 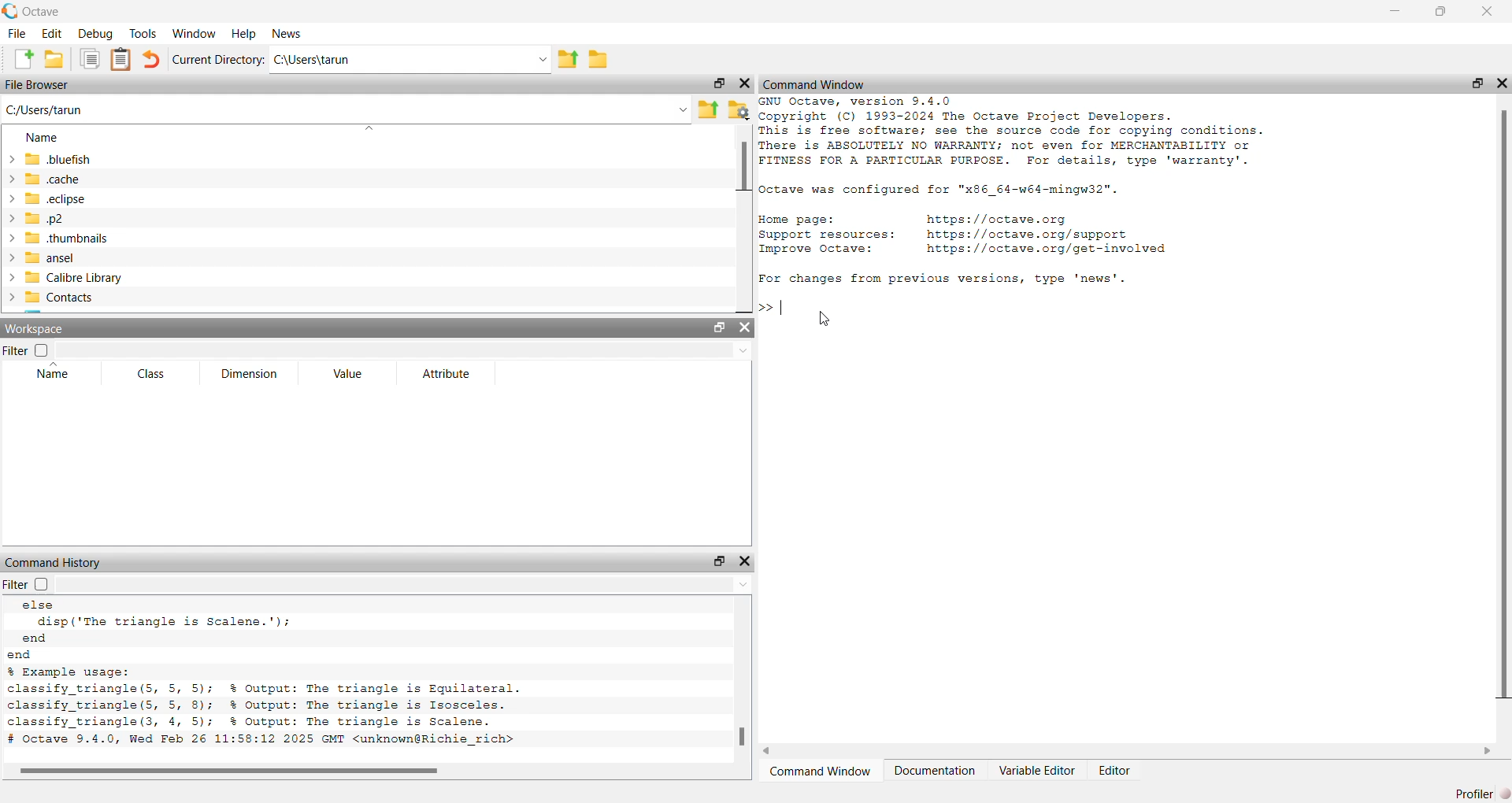 What do you see at coordinates (50, 179) in the screenshot?
I see `.cache` at bounding box center [50, 179].